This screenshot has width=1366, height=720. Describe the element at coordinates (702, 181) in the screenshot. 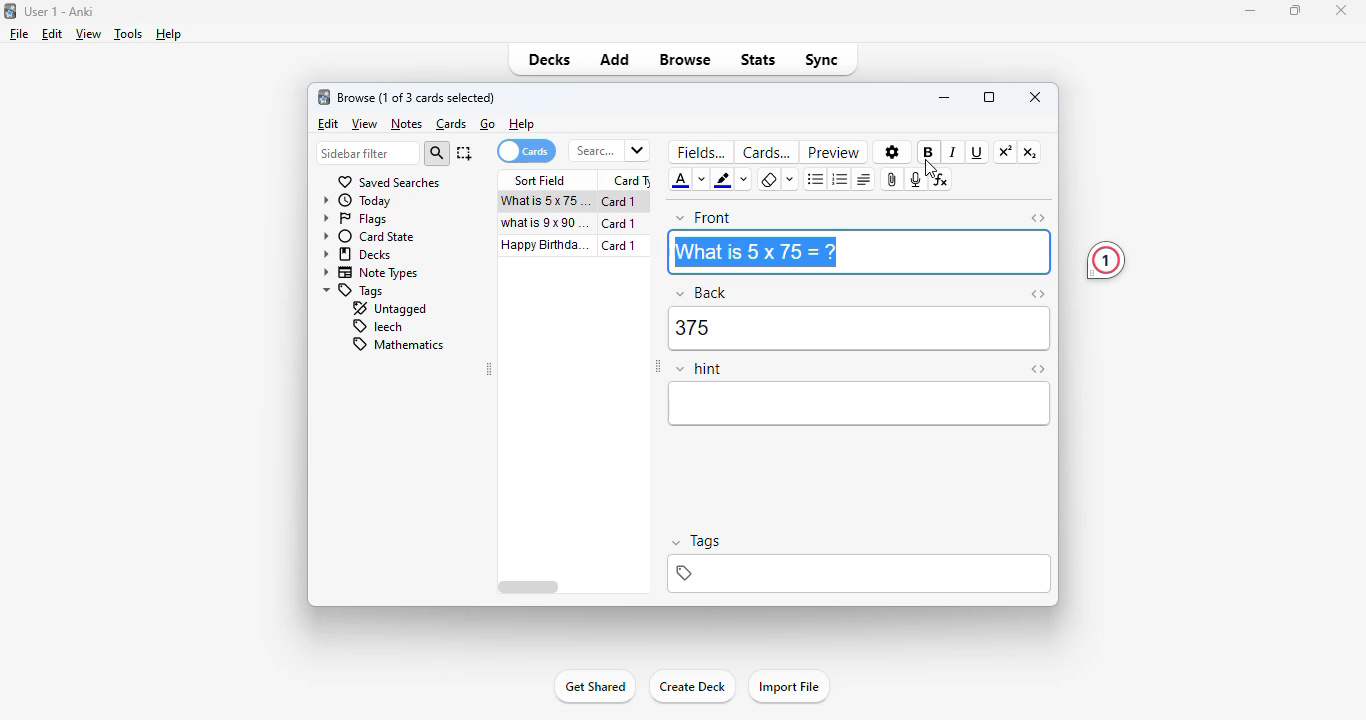

I see `change color` at that location.